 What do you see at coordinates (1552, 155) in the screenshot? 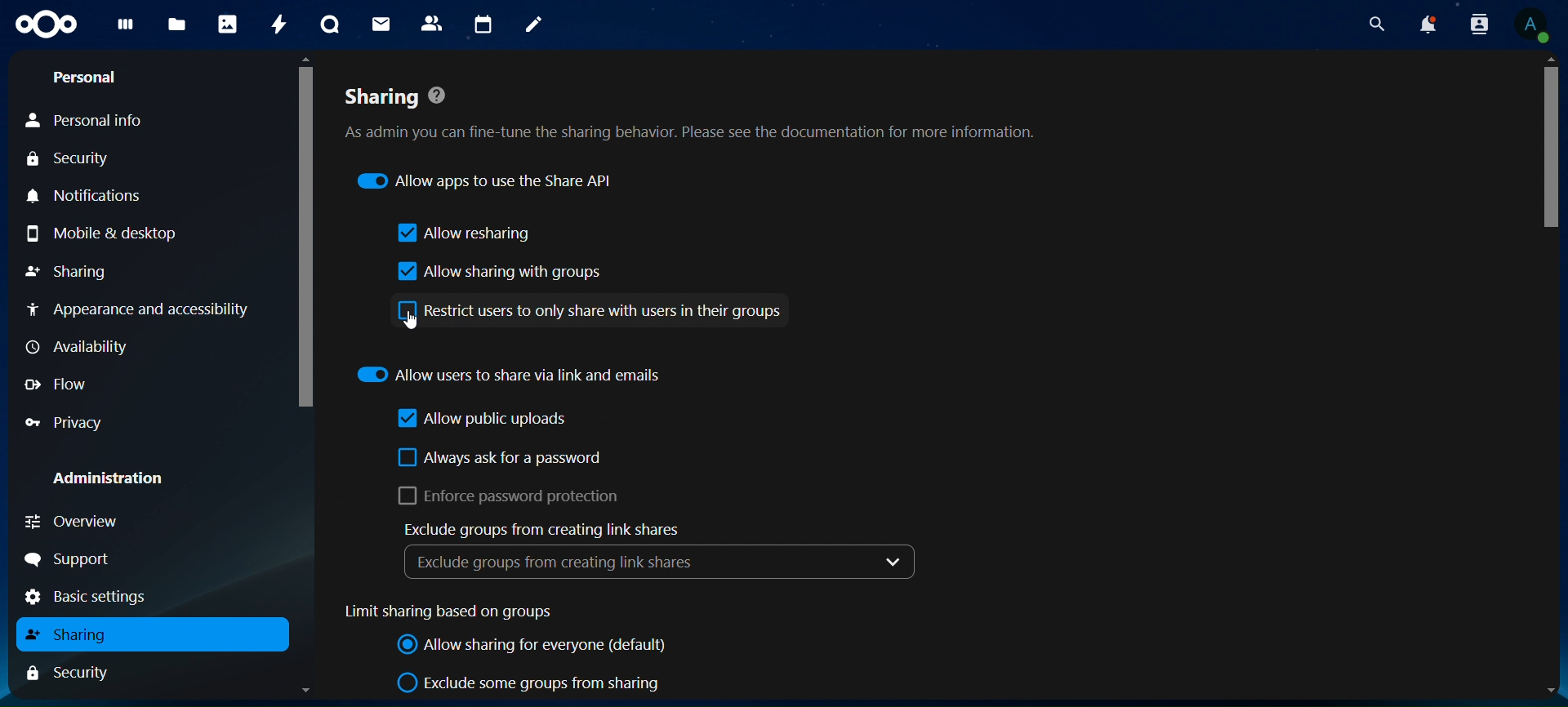
I see `scrollbar` at bounding box center [1552, 155].